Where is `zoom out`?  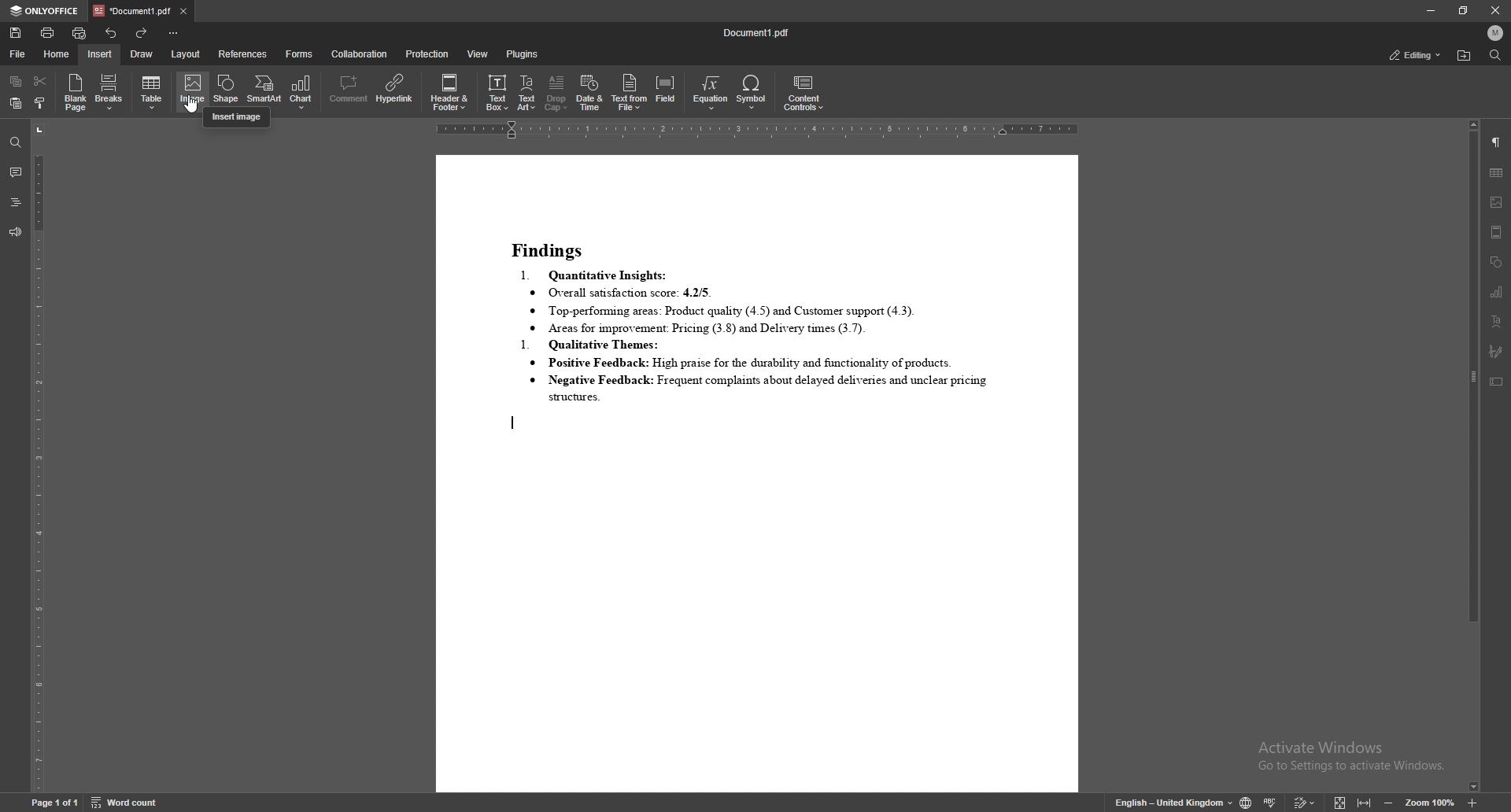
zoom out is located at coordinates (1388, 803).